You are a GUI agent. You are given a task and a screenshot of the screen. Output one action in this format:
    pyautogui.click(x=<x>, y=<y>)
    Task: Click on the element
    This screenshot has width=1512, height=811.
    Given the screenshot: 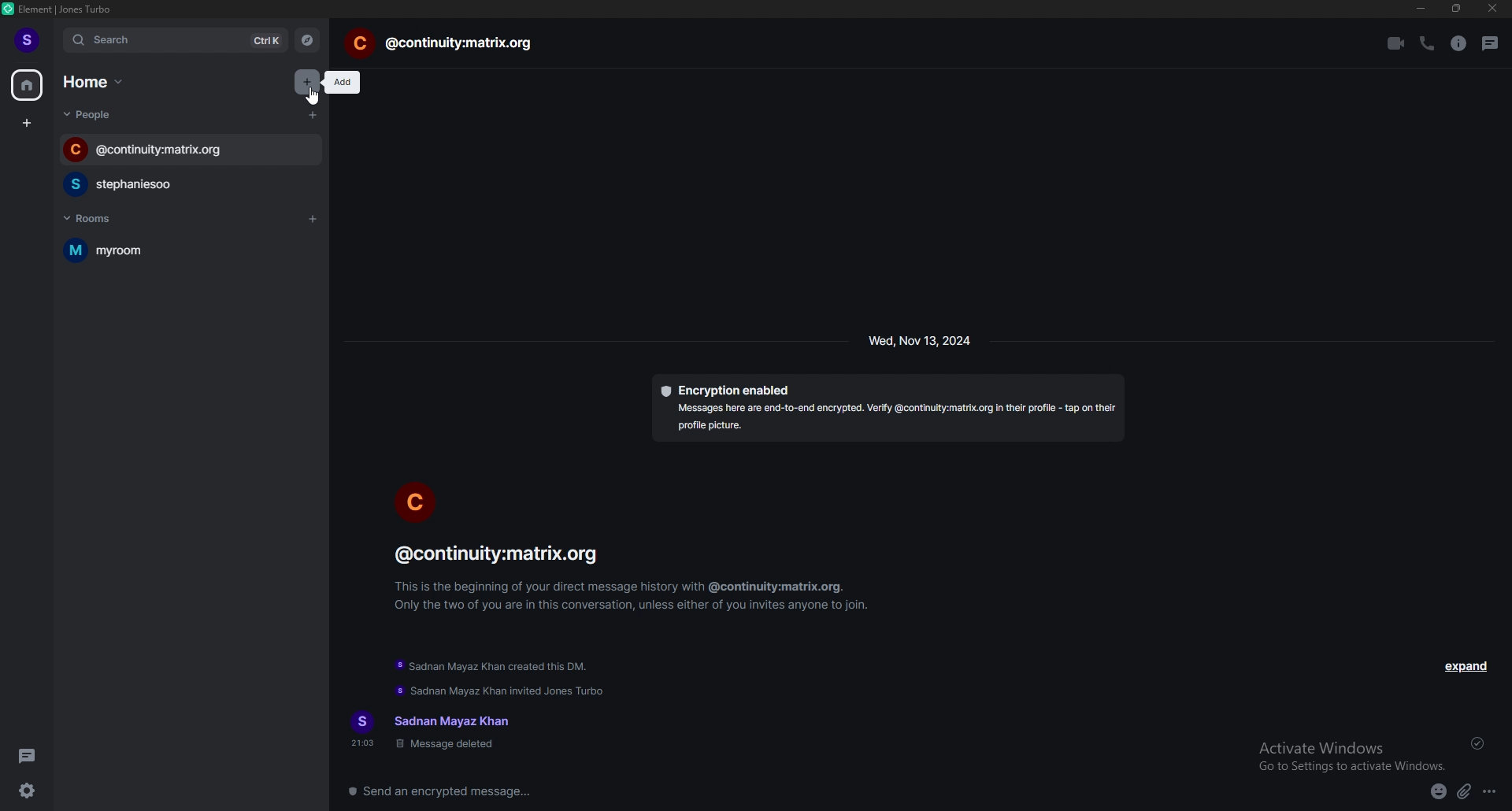 What is the action you would take?
    pyautogui.click(x=65, y=9)
    